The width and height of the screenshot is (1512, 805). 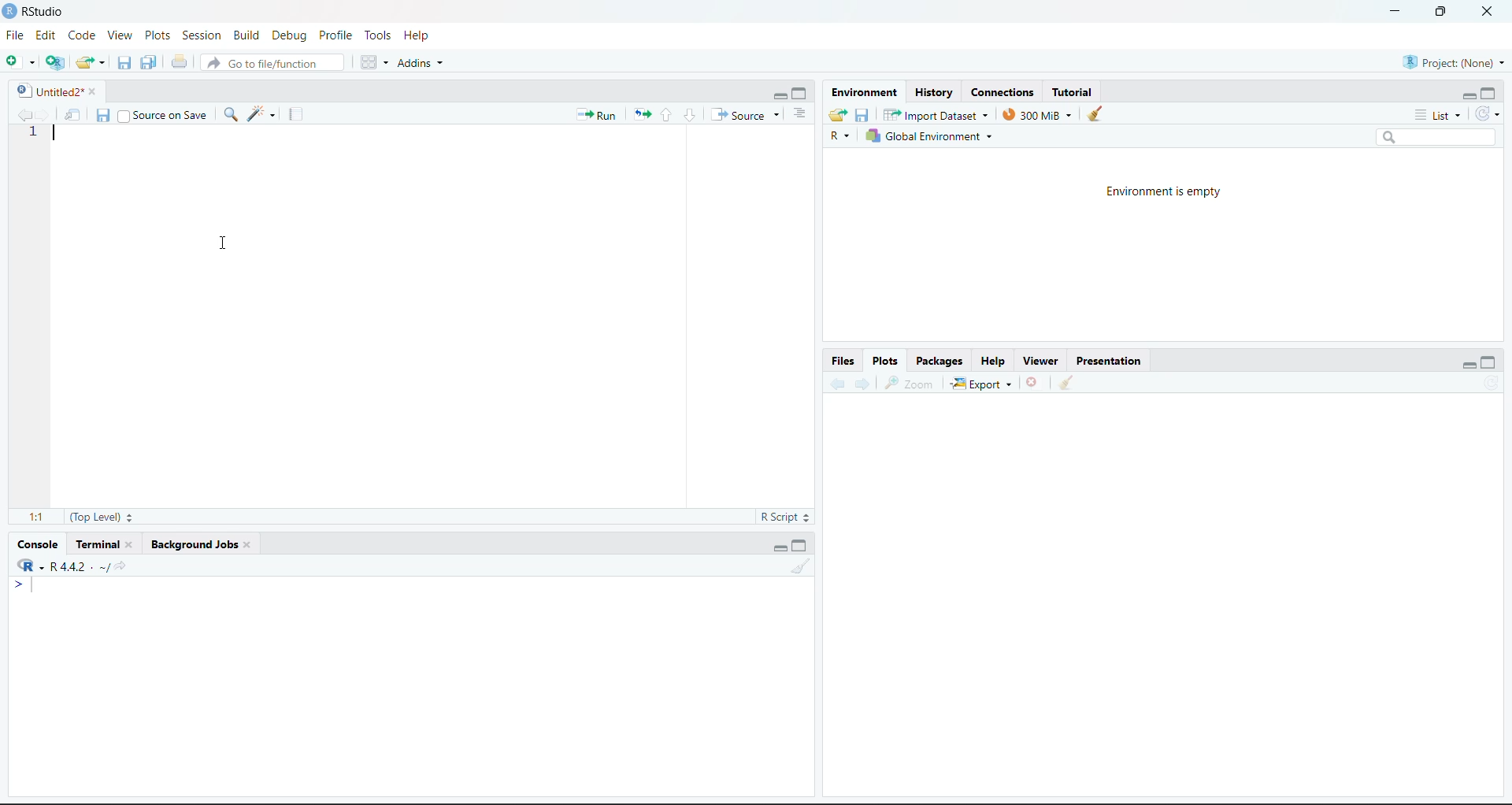 What do you see at coordinates (45, 37) in the screenshot?
I see `Edit` at bounding box center [45, 37].